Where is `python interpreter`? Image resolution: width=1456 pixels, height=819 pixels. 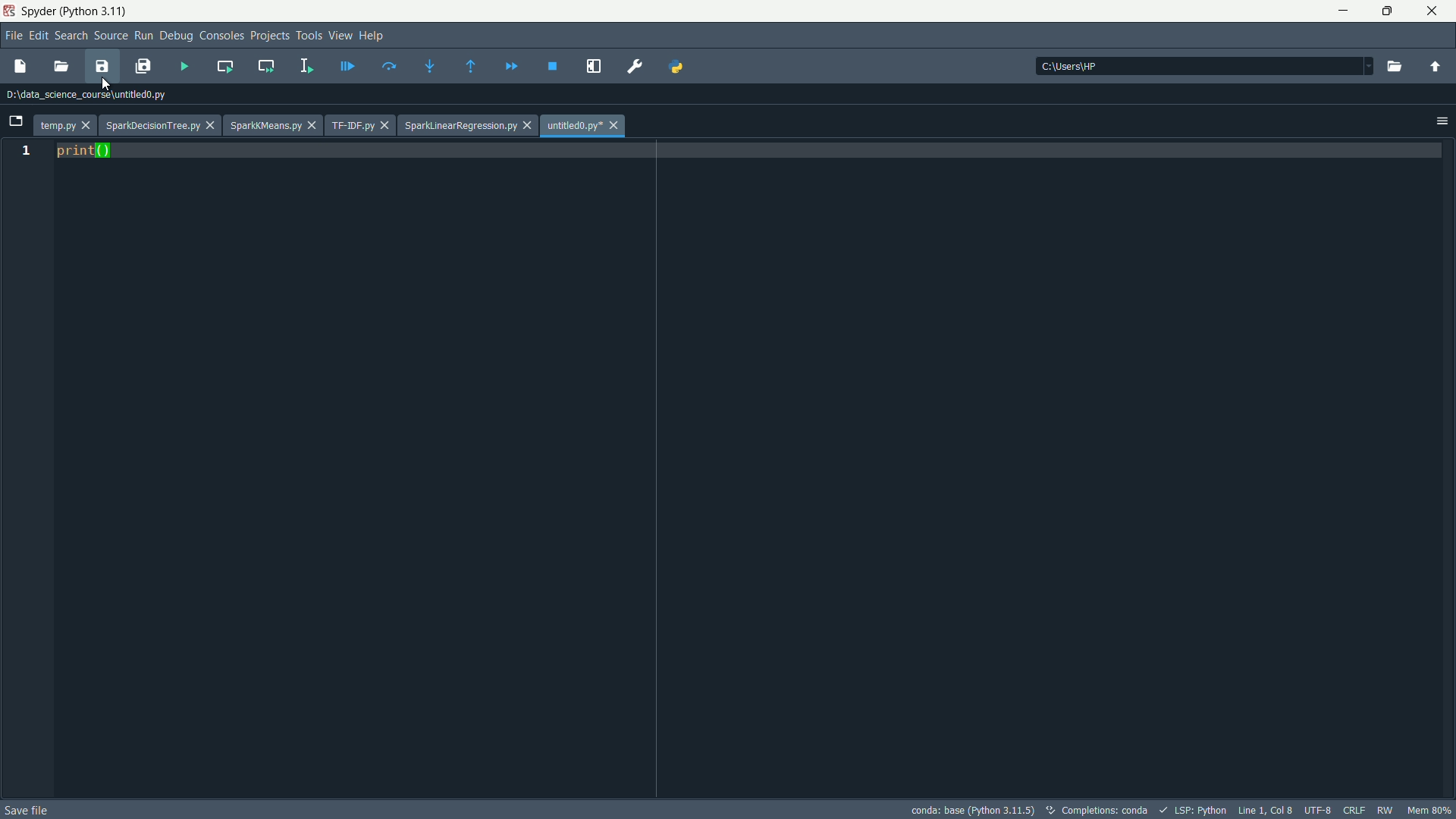 python interpreter is located at coordinates (971, 810).